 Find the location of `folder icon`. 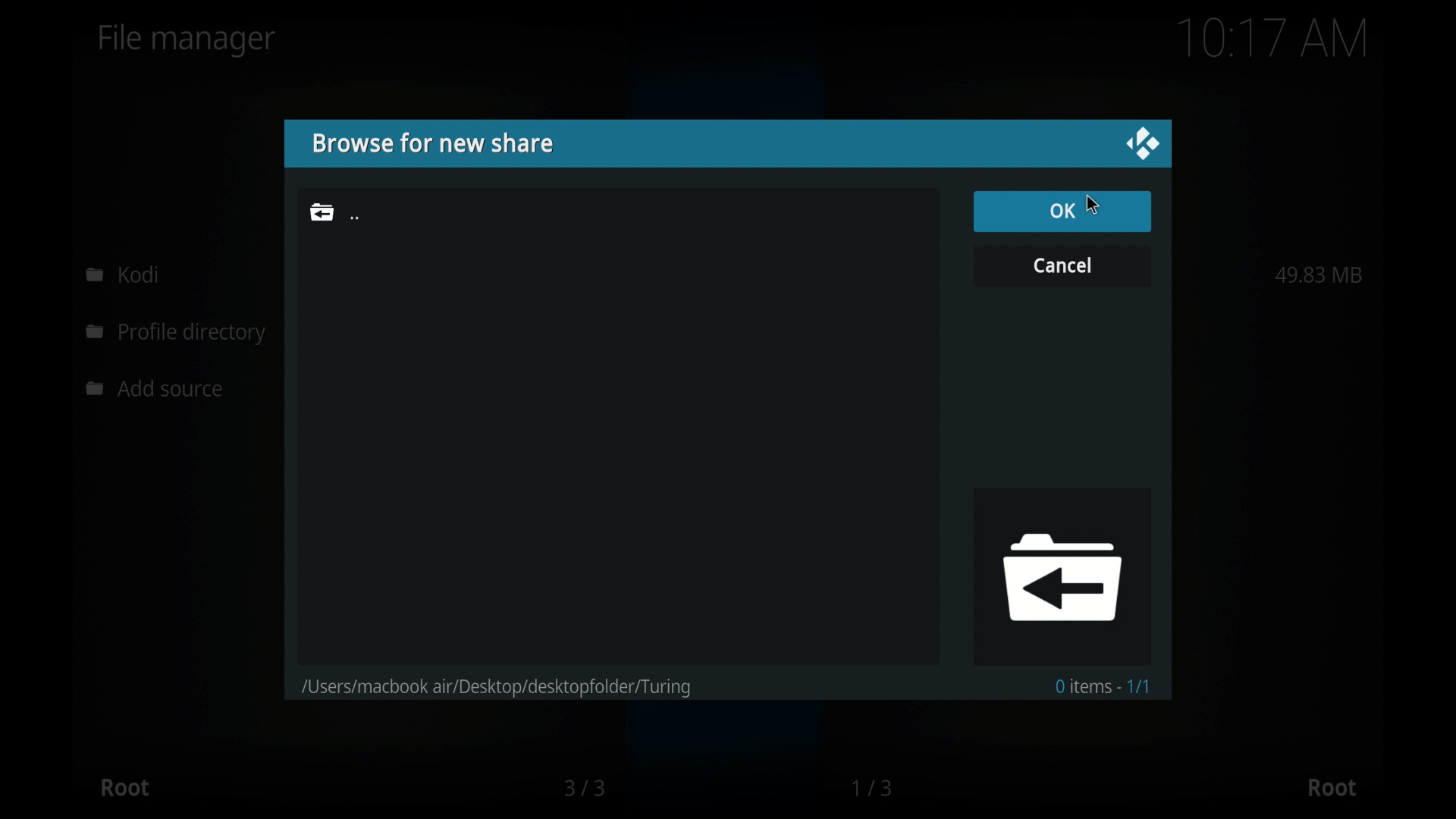

folder icon is located at coordinates (1061, 576).